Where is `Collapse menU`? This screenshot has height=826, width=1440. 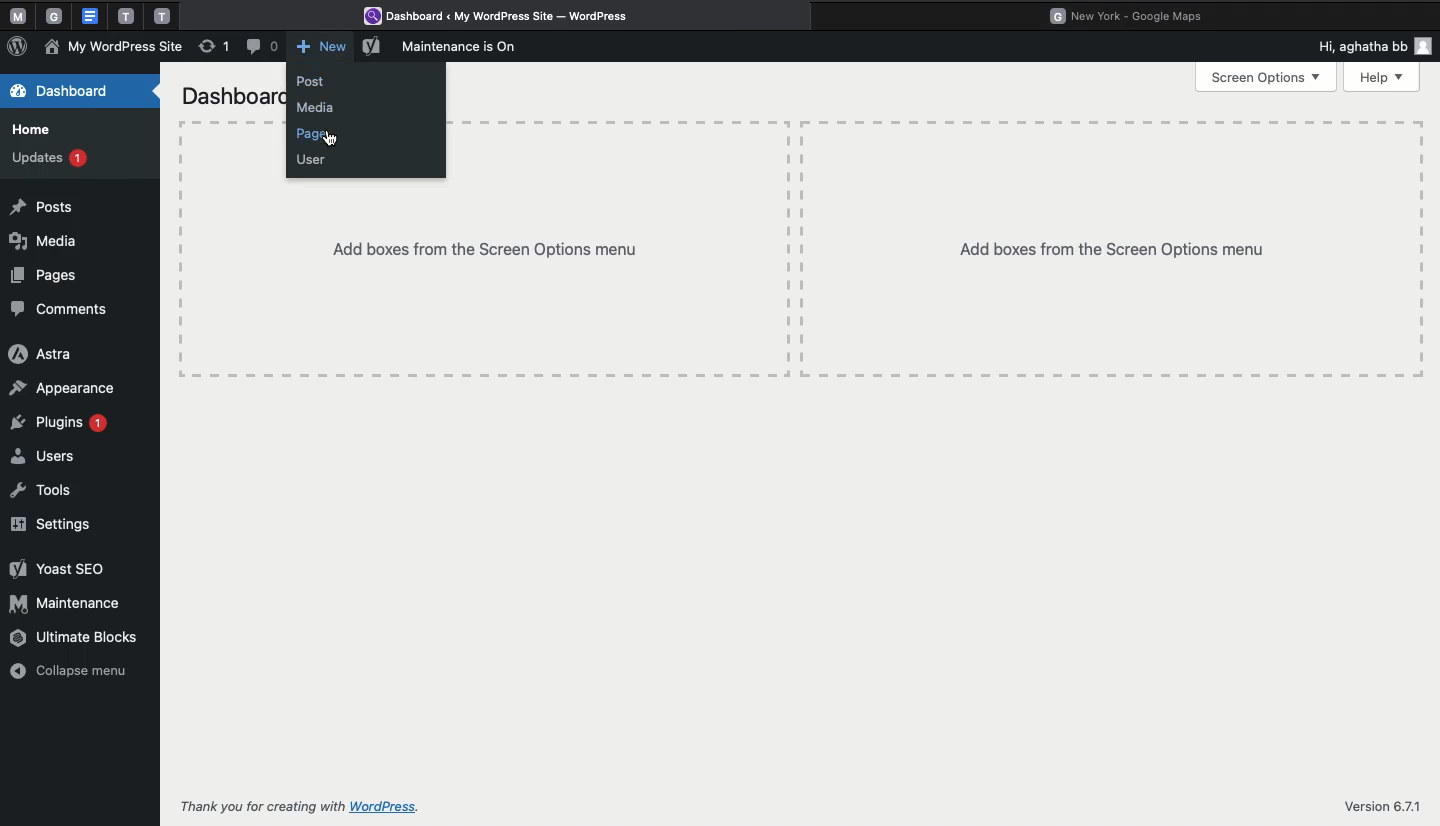 Collapse menU is located at coordinates (76, 672).